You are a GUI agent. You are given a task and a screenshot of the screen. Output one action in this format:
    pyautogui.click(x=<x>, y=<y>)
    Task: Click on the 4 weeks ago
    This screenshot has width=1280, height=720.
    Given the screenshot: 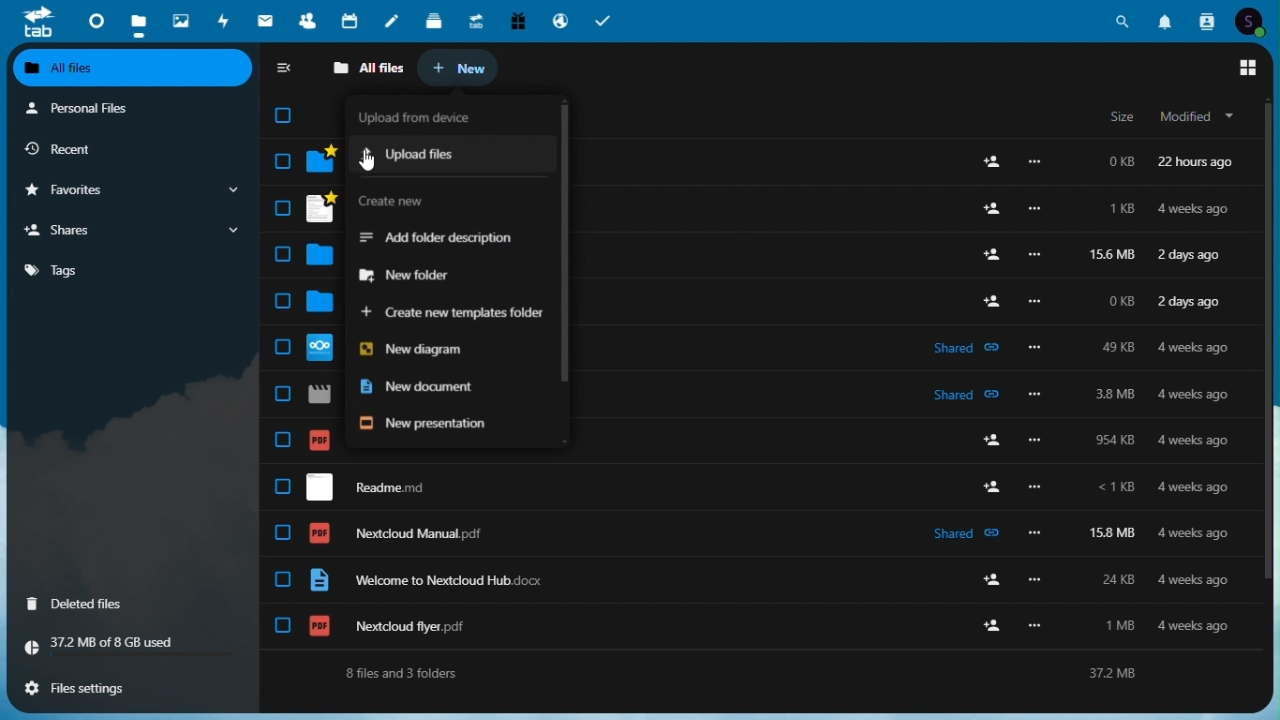 What is the action you would take?
    pyautogui.click(x=1199, y=395)
    